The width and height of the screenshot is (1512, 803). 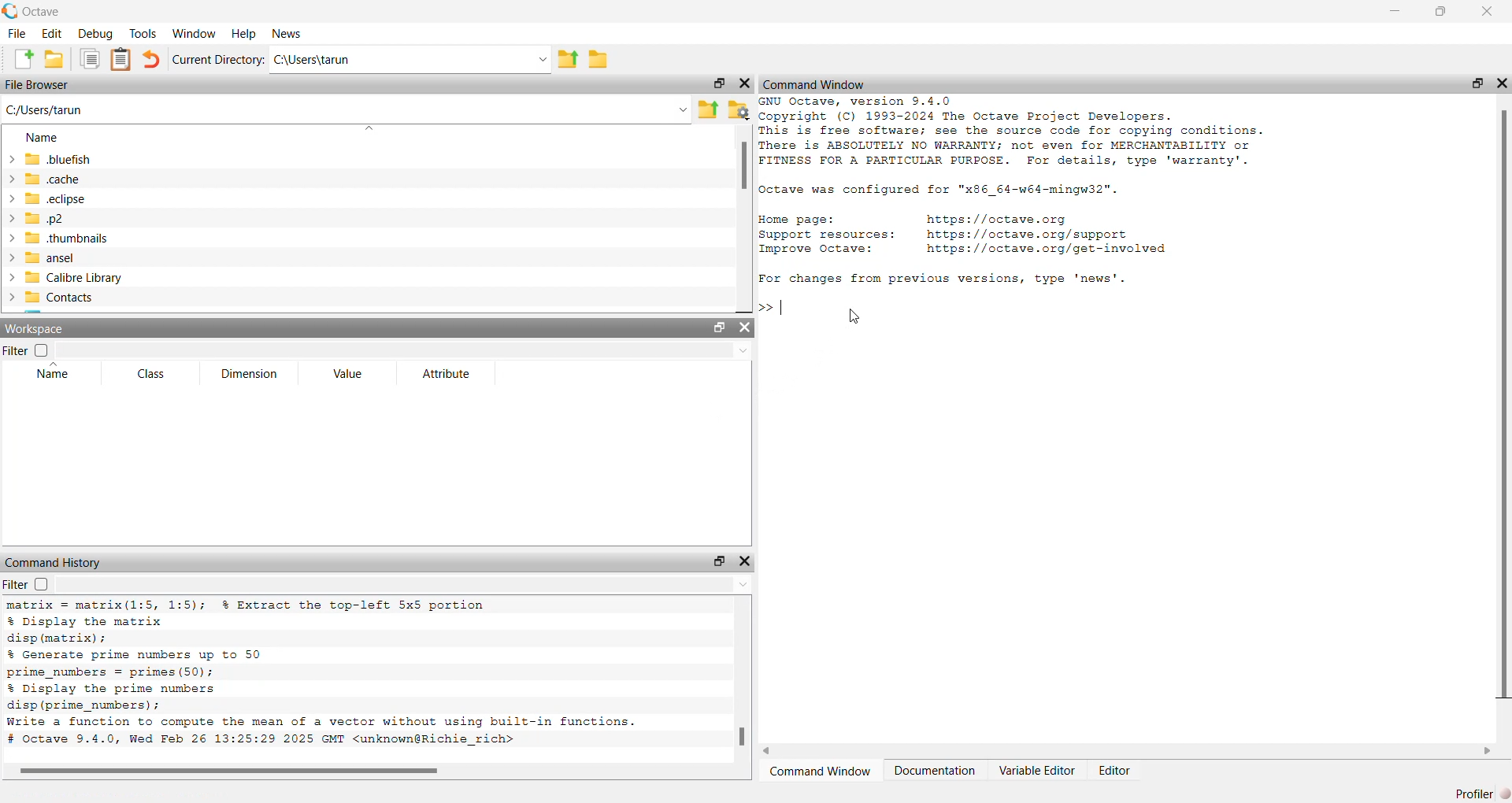 I want to click on ansel, so click(x=52, y=258).